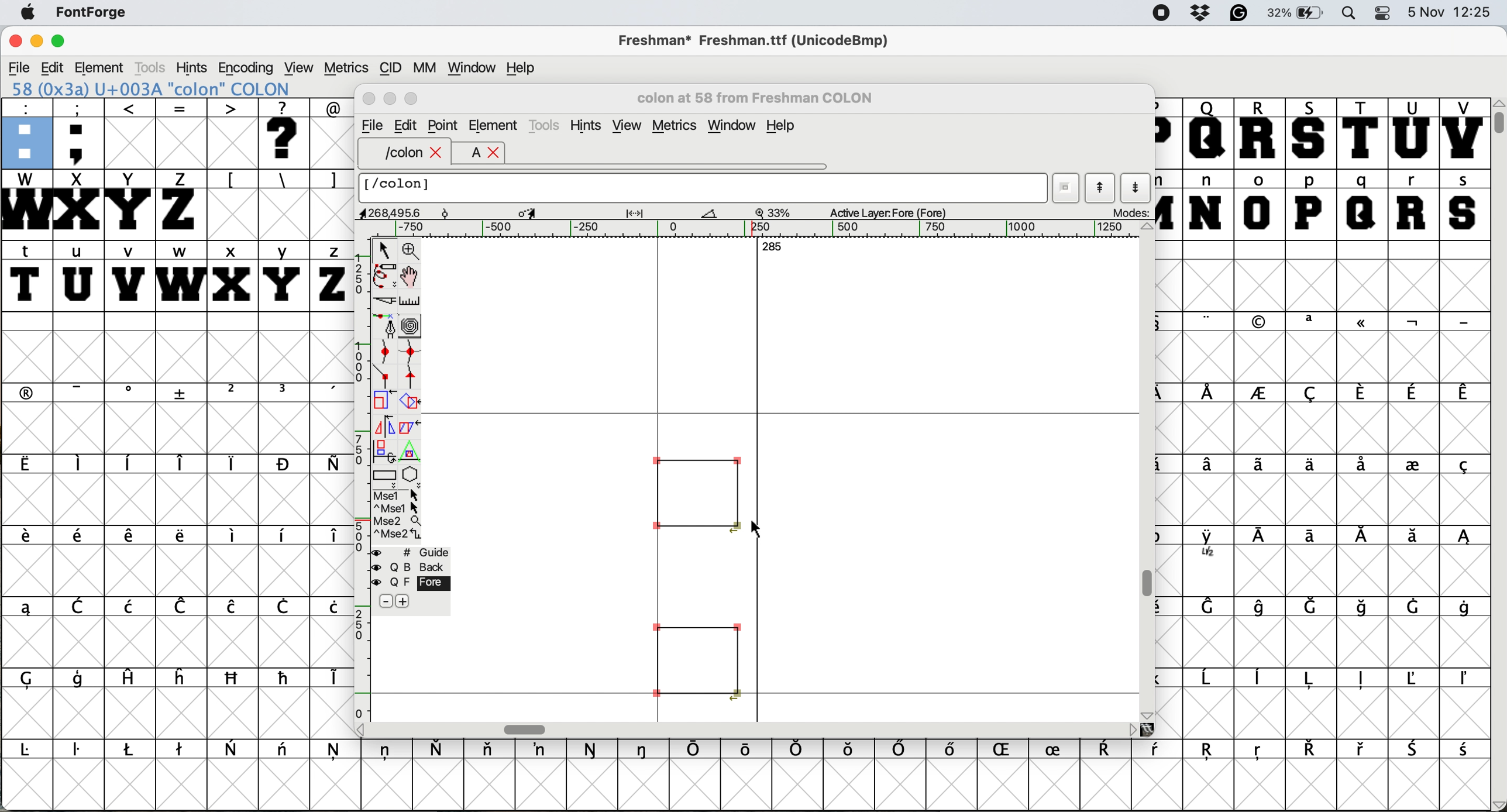 The height and width of the screenshot is (812, 1507). What do you see at coordinates (1464, 133) in the screenshot?
I see `V` at bounding box center [1464, 133].